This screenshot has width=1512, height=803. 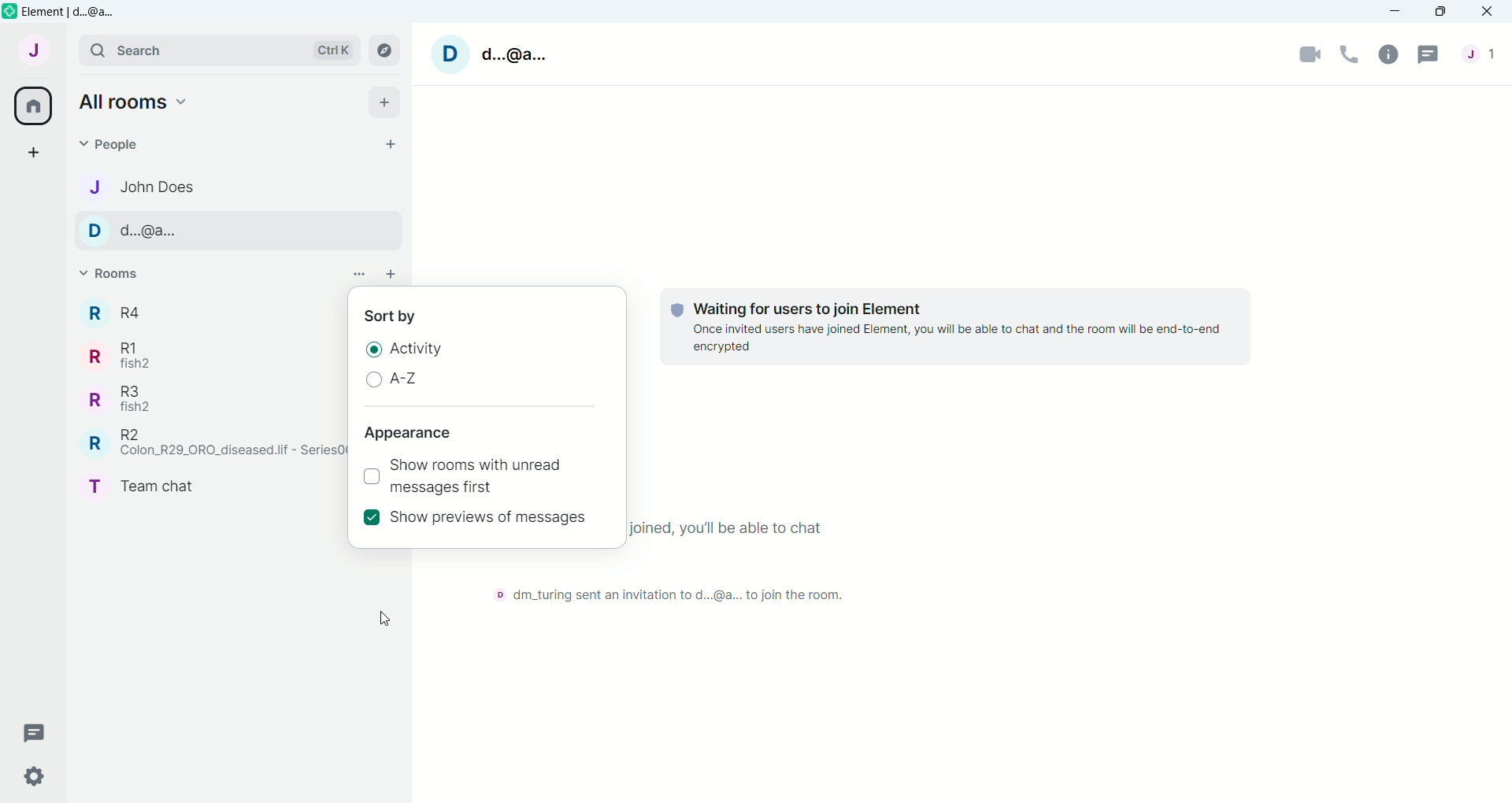 I want to click on Once everyone has joined, you'll be able to chat, so click(x=725, y=527).